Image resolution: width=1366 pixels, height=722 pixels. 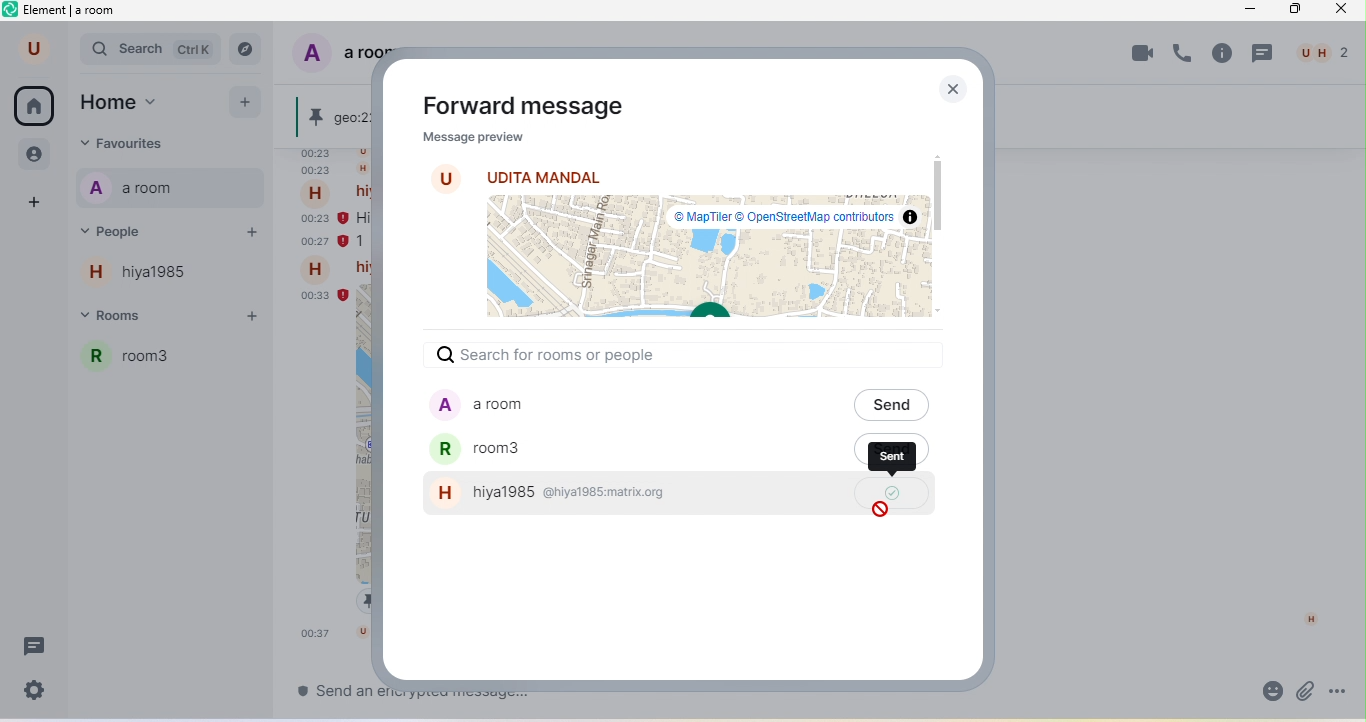 I want to click on a room, so click(x=139, y=189).